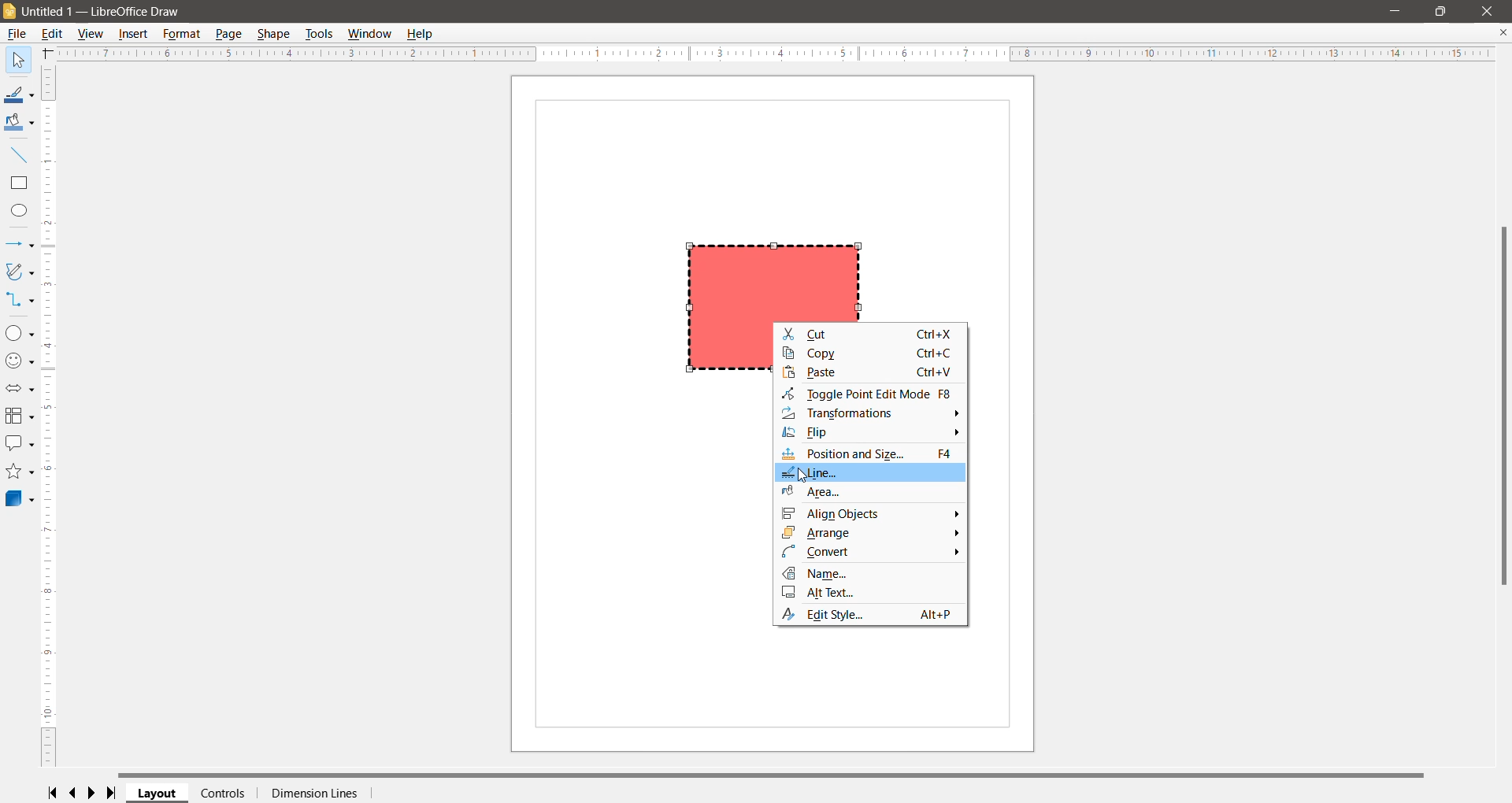  What do you see at coordinates (50, 415) in the screenshot?
I see `Vertical Scroll Bar` at bounding box center [50, 415].